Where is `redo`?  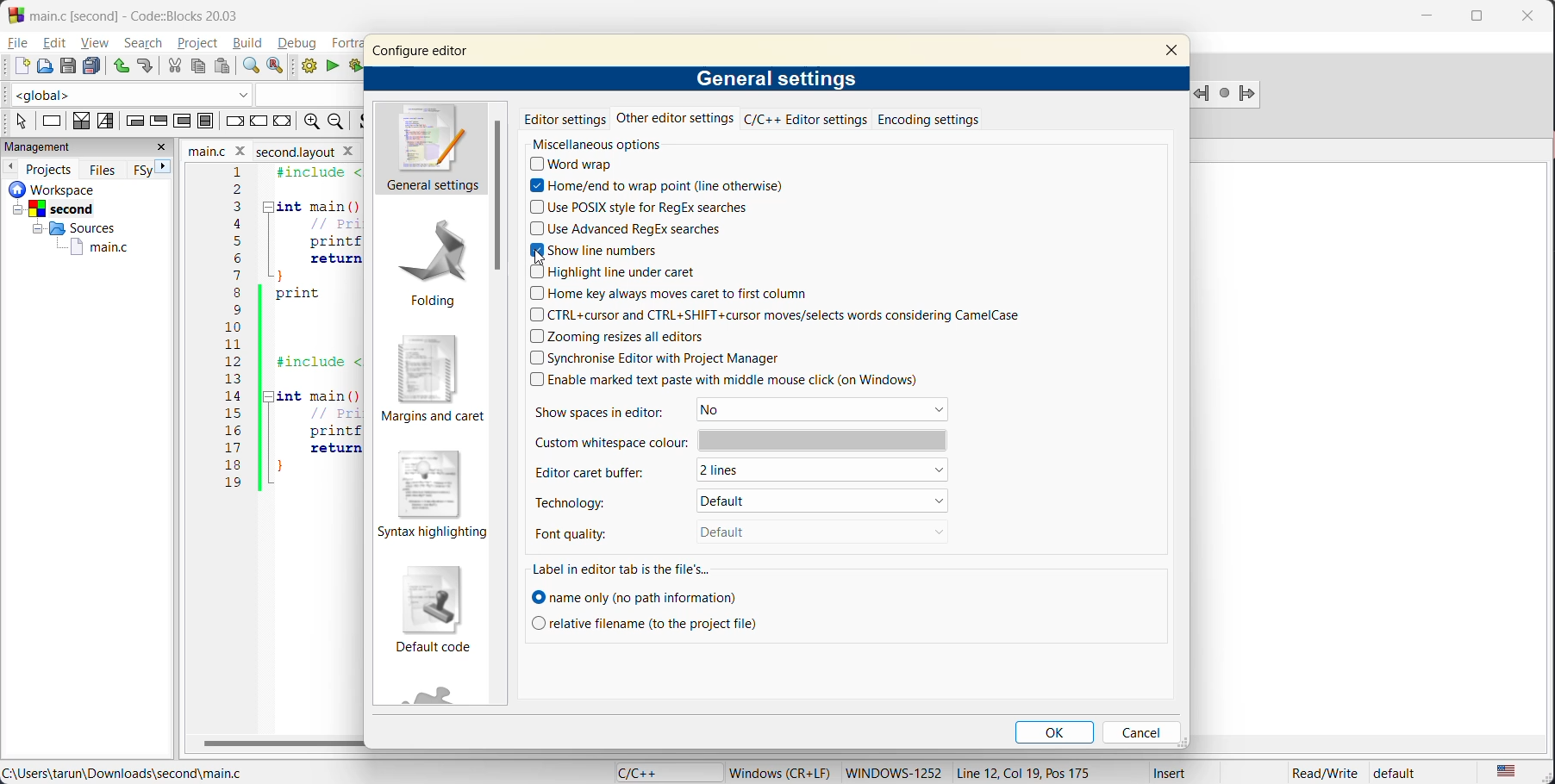 redo is located at coordinates (146, 68).